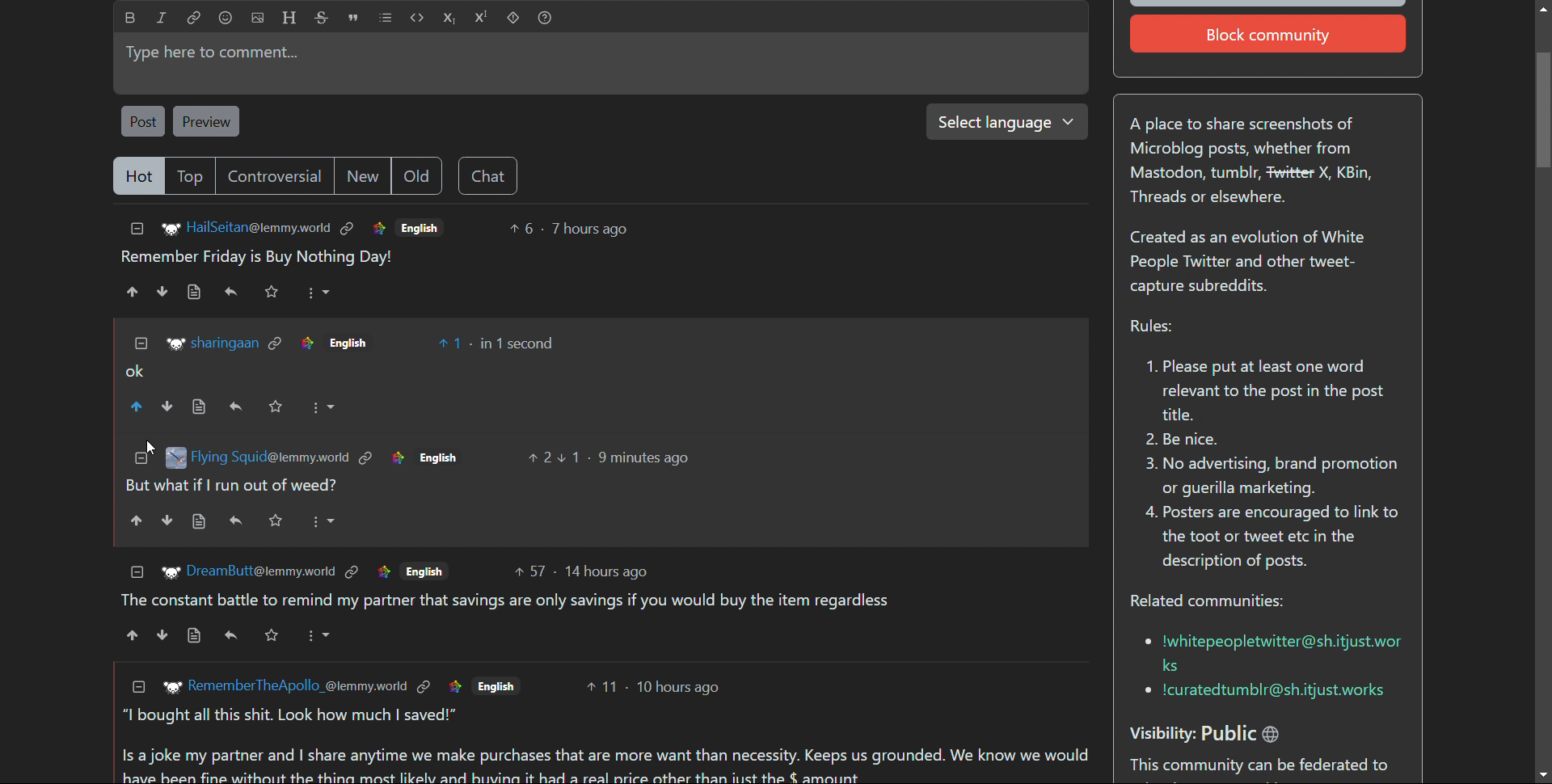  What do you see at coordinates (130, 292) in the screenshot?
I see `upvotes` at bounding box center [130, 292].